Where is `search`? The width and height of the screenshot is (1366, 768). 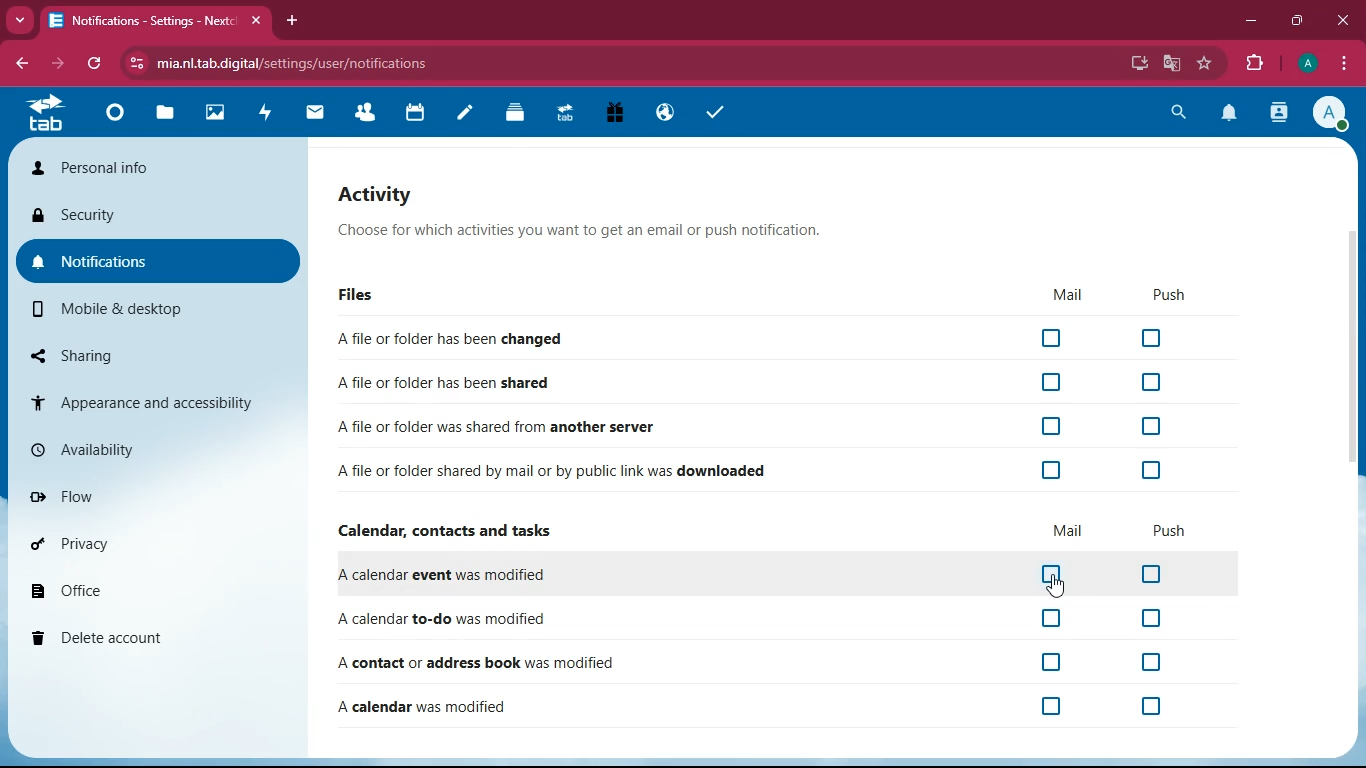 search is located at coordinates (1177, 114).